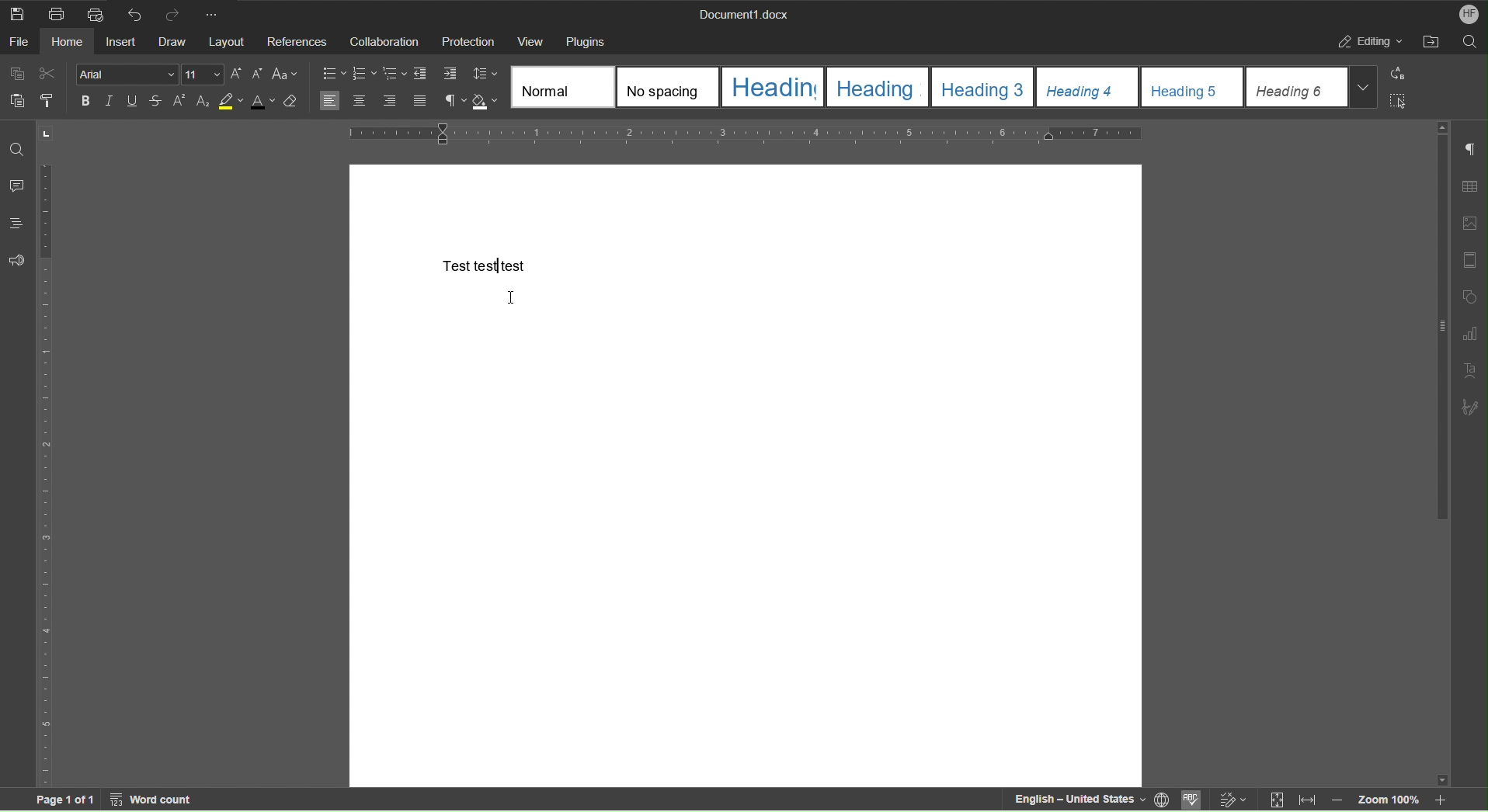 The height and width of the screenshot is (812, 1488). Describe the element at coordinates (1469, 297) in the screenshot. I see `Shape Settings` at that location.